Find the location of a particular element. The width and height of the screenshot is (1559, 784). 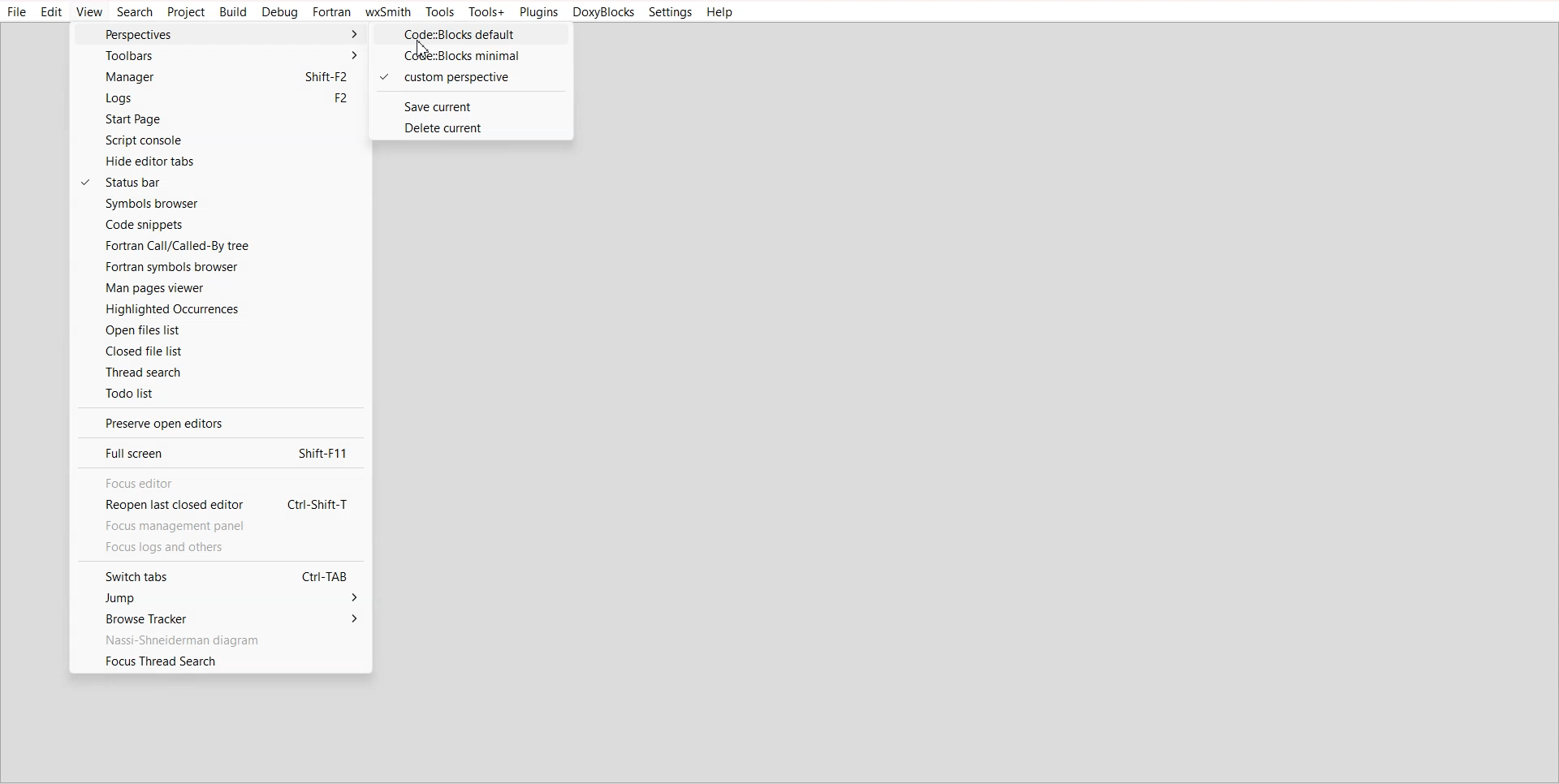

Custom perspective is located at coordinates (469, 78).